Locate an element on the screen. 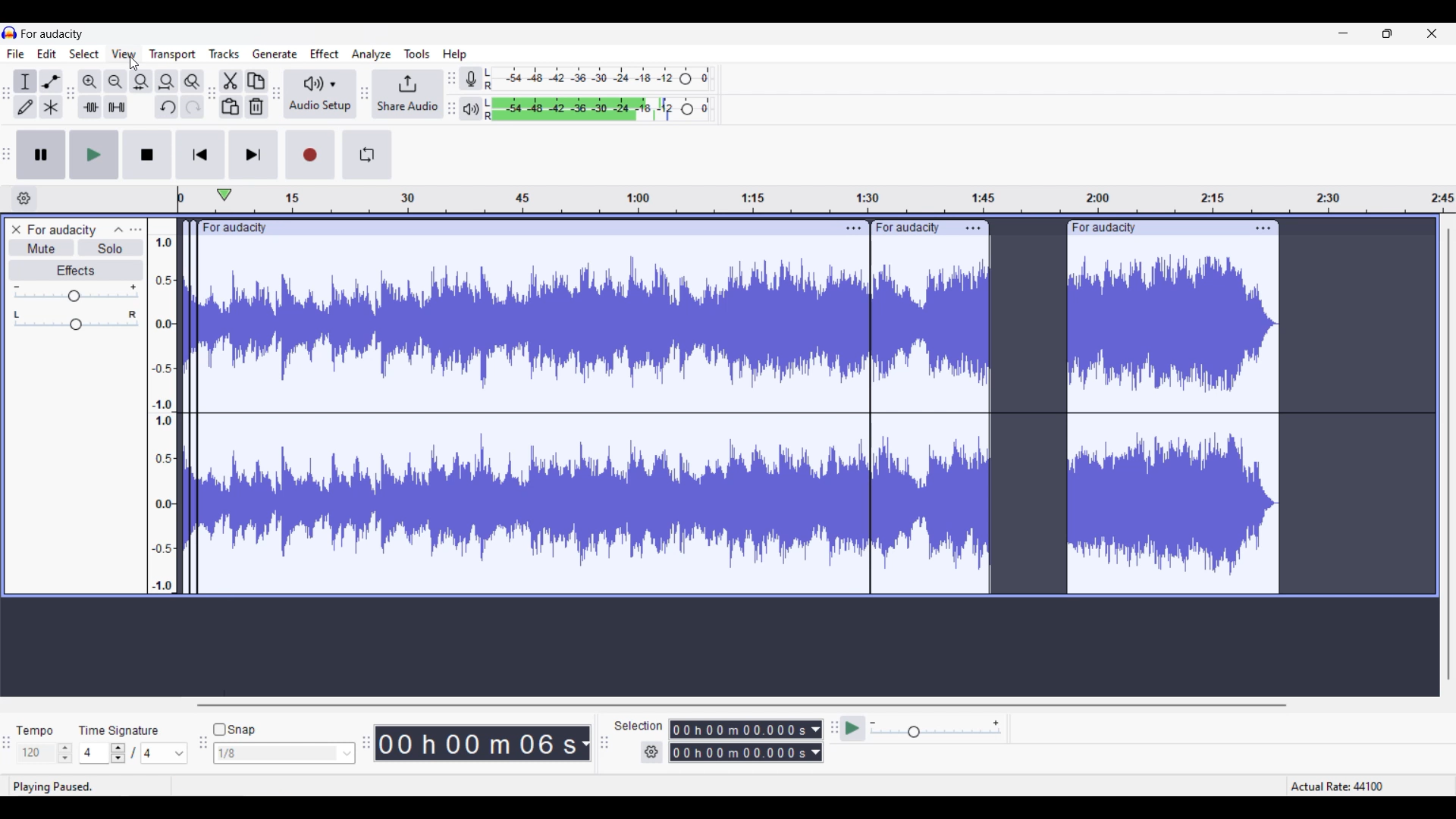 The height and width of the screenshot is (819, 1456). Transport menu is located at coordinates (172, 55).